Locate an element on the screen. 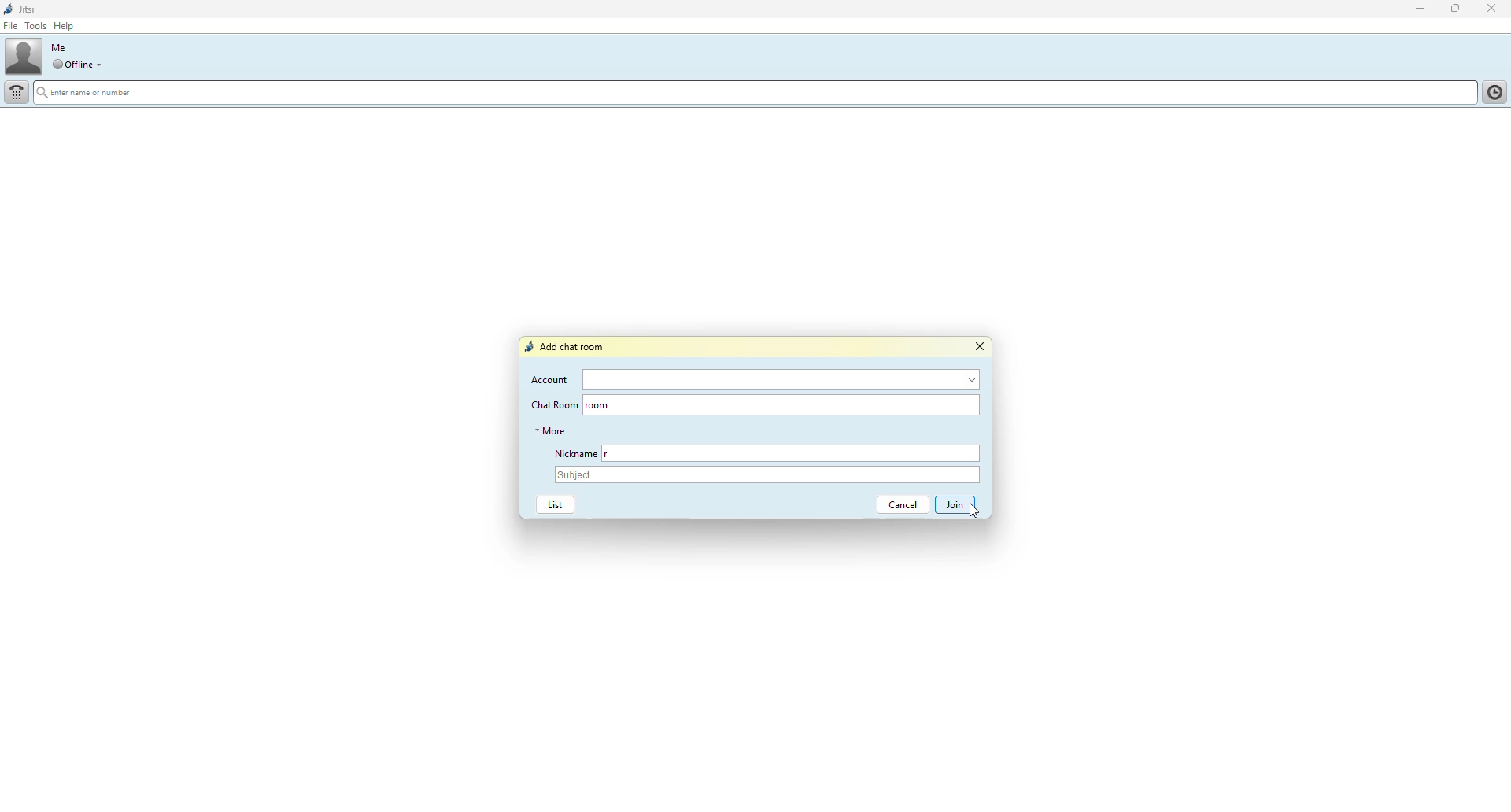 This screenshot has height=812, width=1511. account is located at coordinates (551, 379).